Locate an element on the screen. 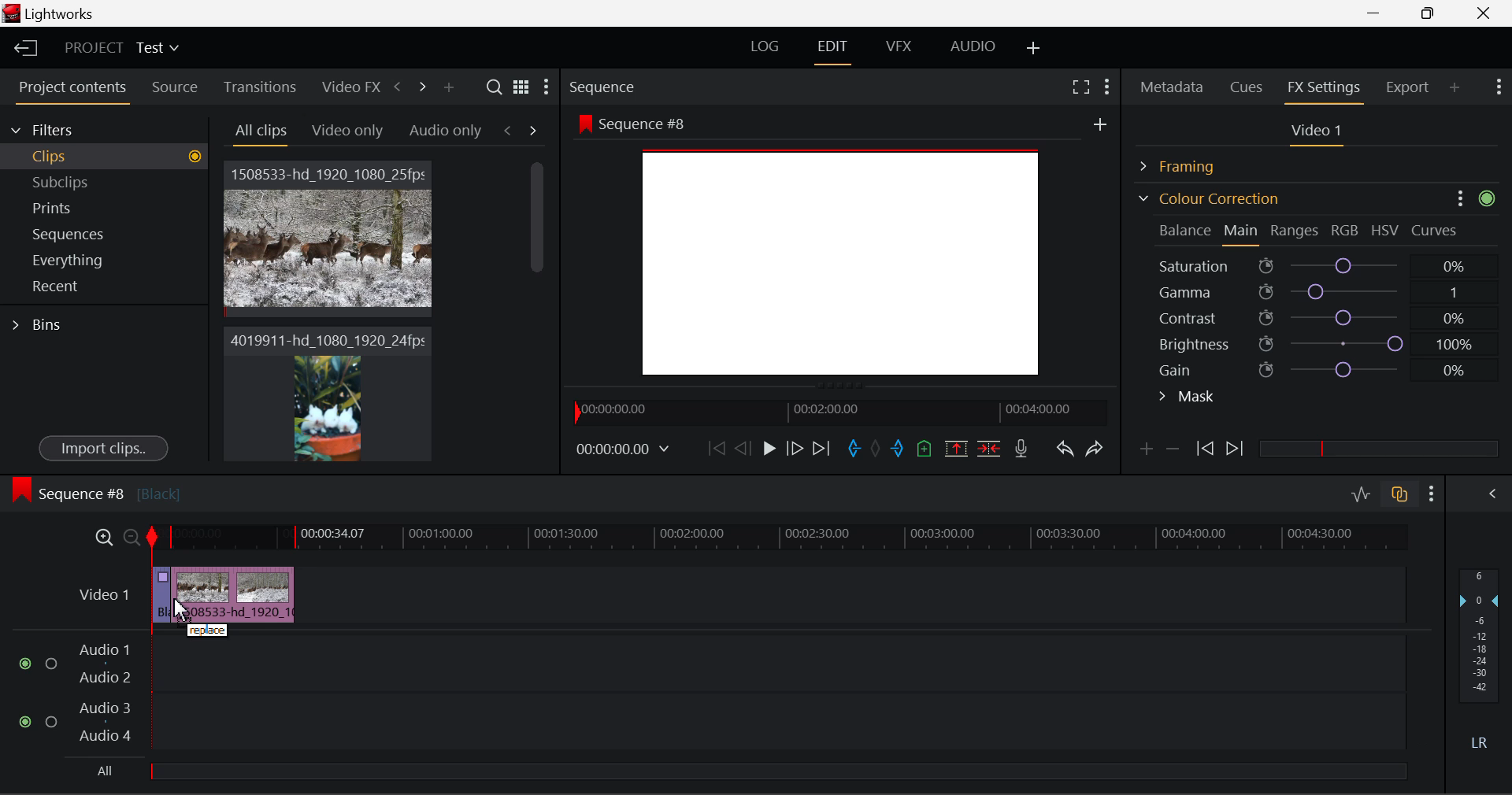 The height and width of the screenshot is (795, 1512). Mask is located at coordinates (1188, 398).